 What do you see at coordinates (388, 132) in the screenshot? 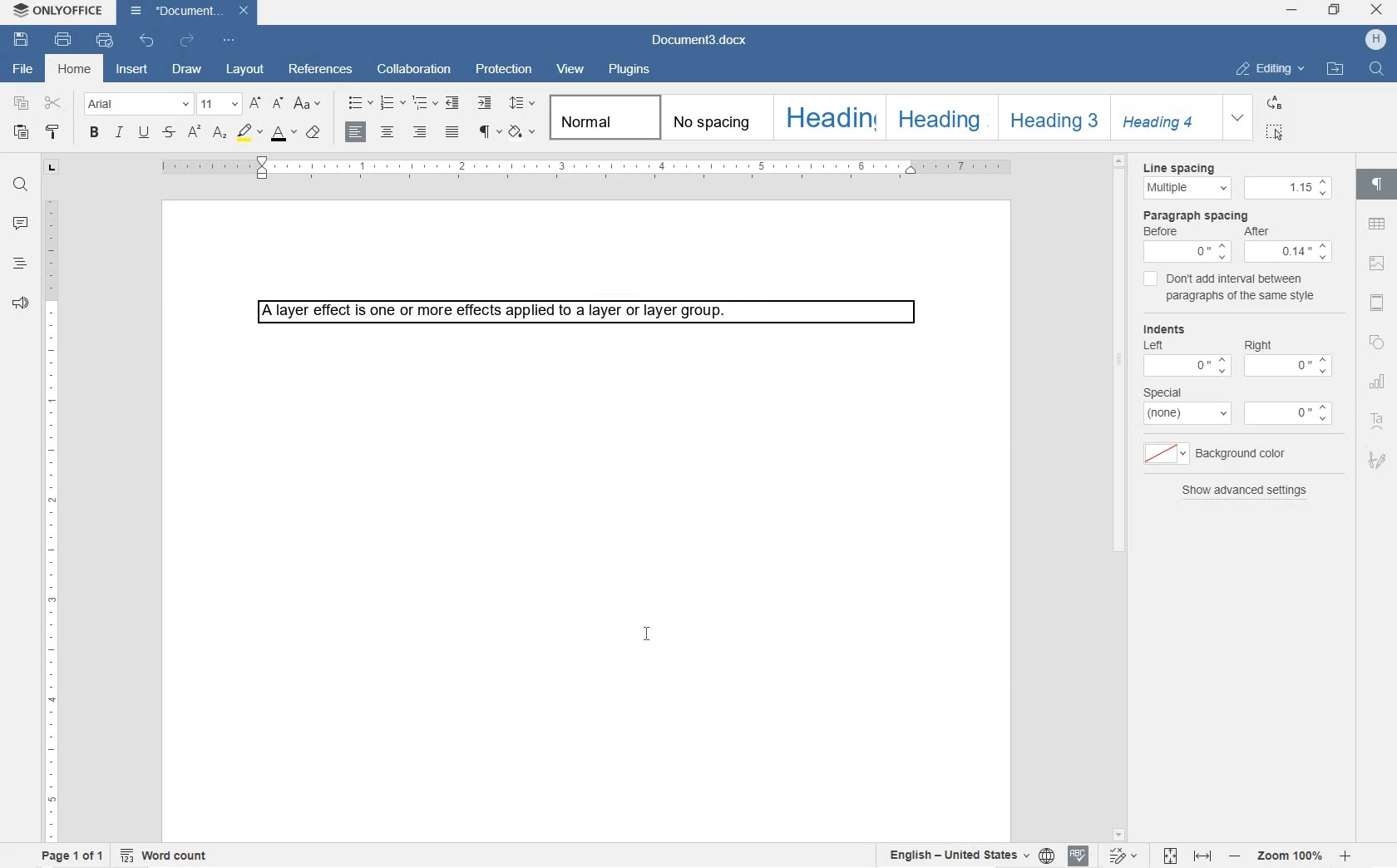
I see `ALIGN CENTER` at bounding box center [388, 132].